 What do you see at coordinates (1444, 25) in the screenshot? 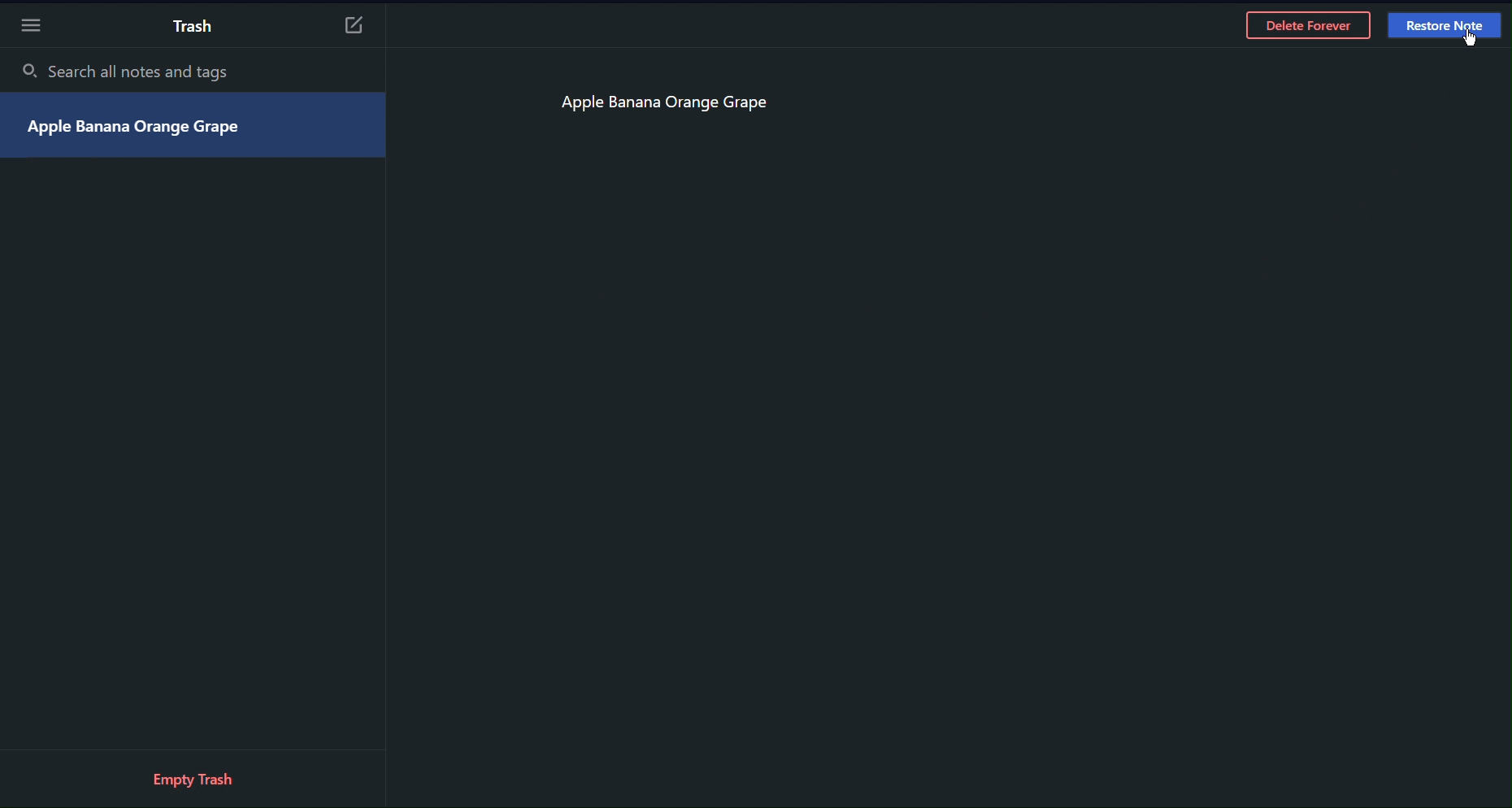
I see `Restore Note` at bounding box center [1444, 25].